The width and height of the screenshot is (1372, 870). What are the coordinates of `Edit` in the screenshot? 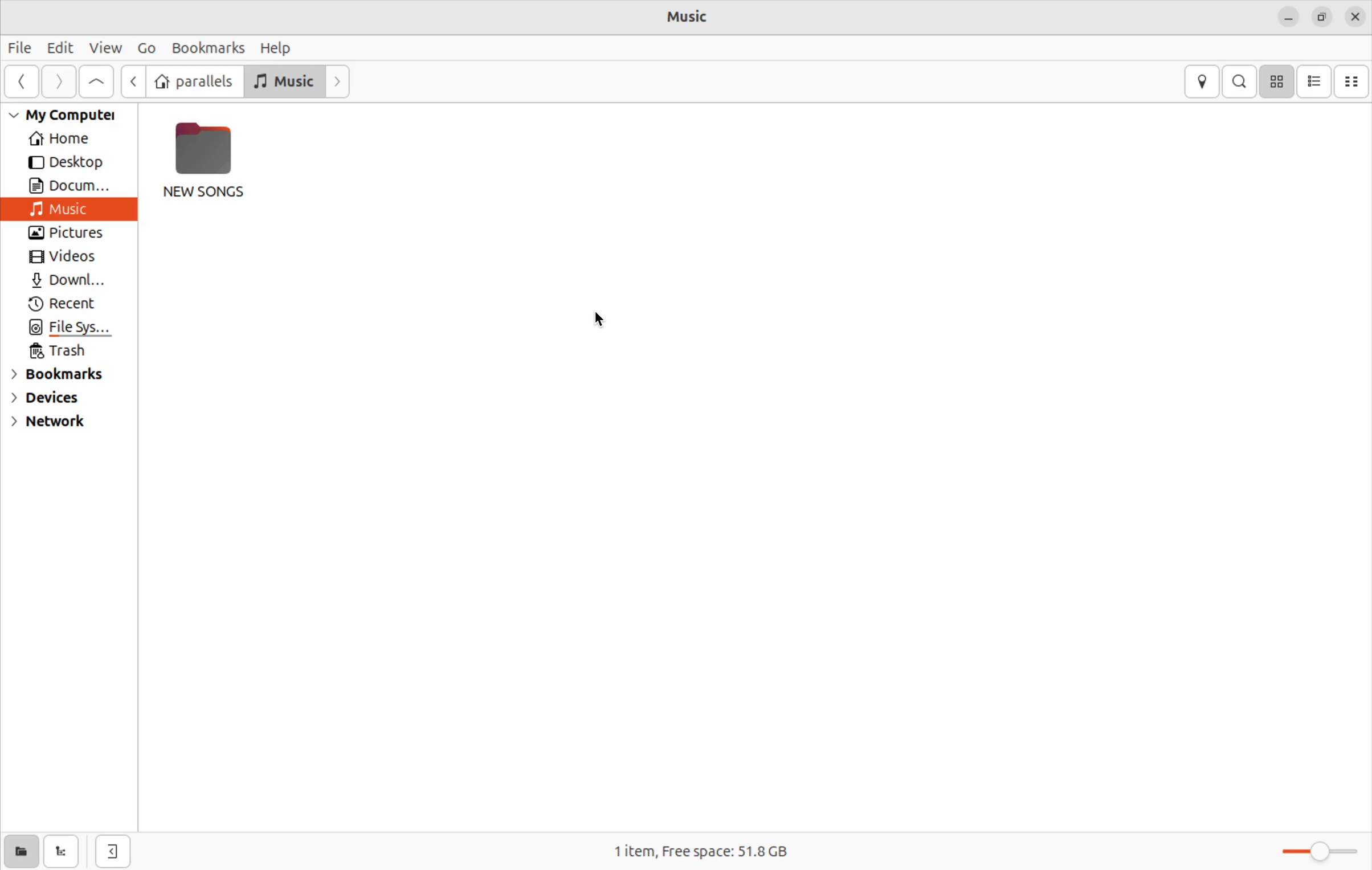 It's located at (59, 47).